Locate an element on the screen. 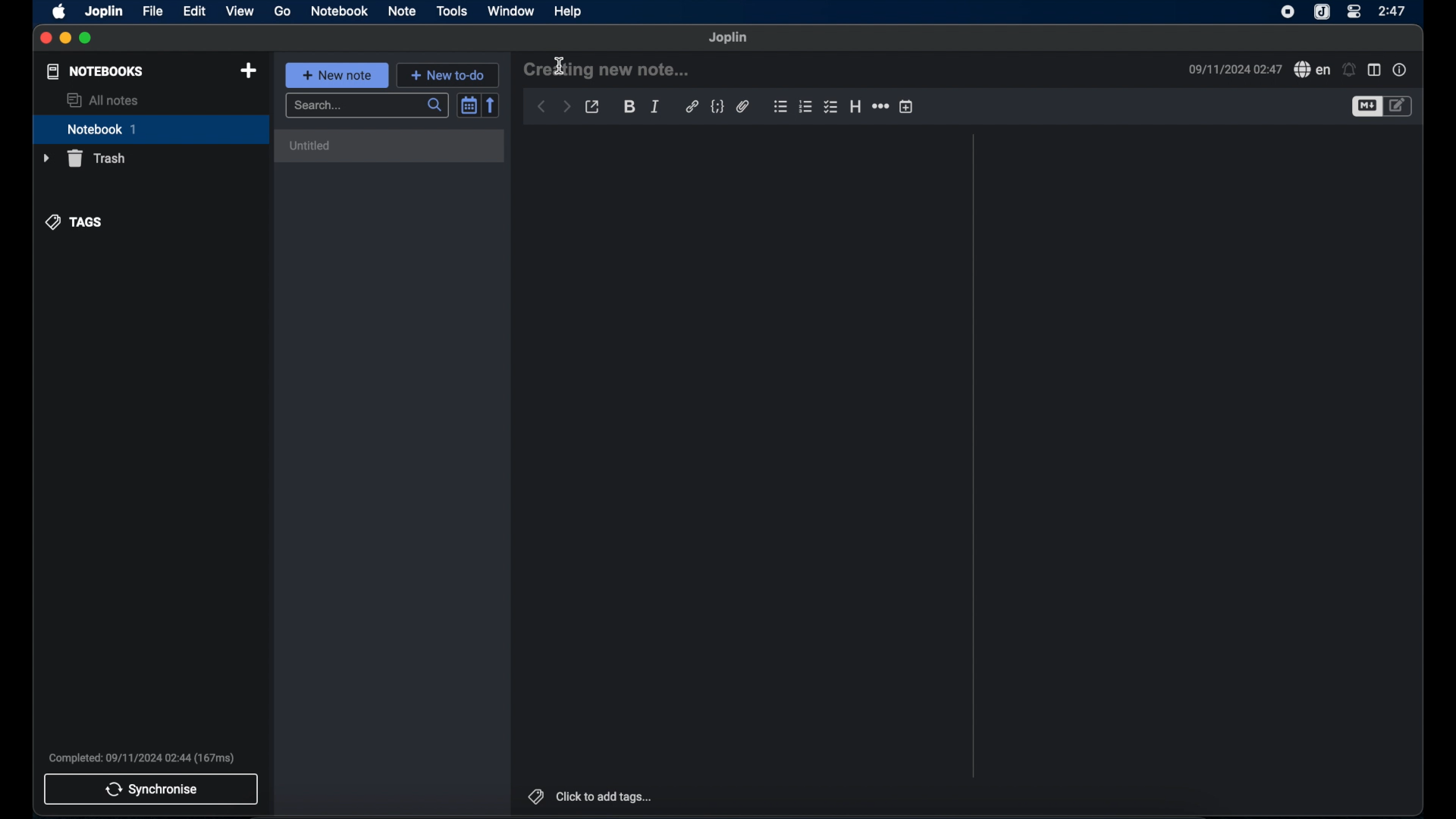  forward is located at coordinates (566, 107).